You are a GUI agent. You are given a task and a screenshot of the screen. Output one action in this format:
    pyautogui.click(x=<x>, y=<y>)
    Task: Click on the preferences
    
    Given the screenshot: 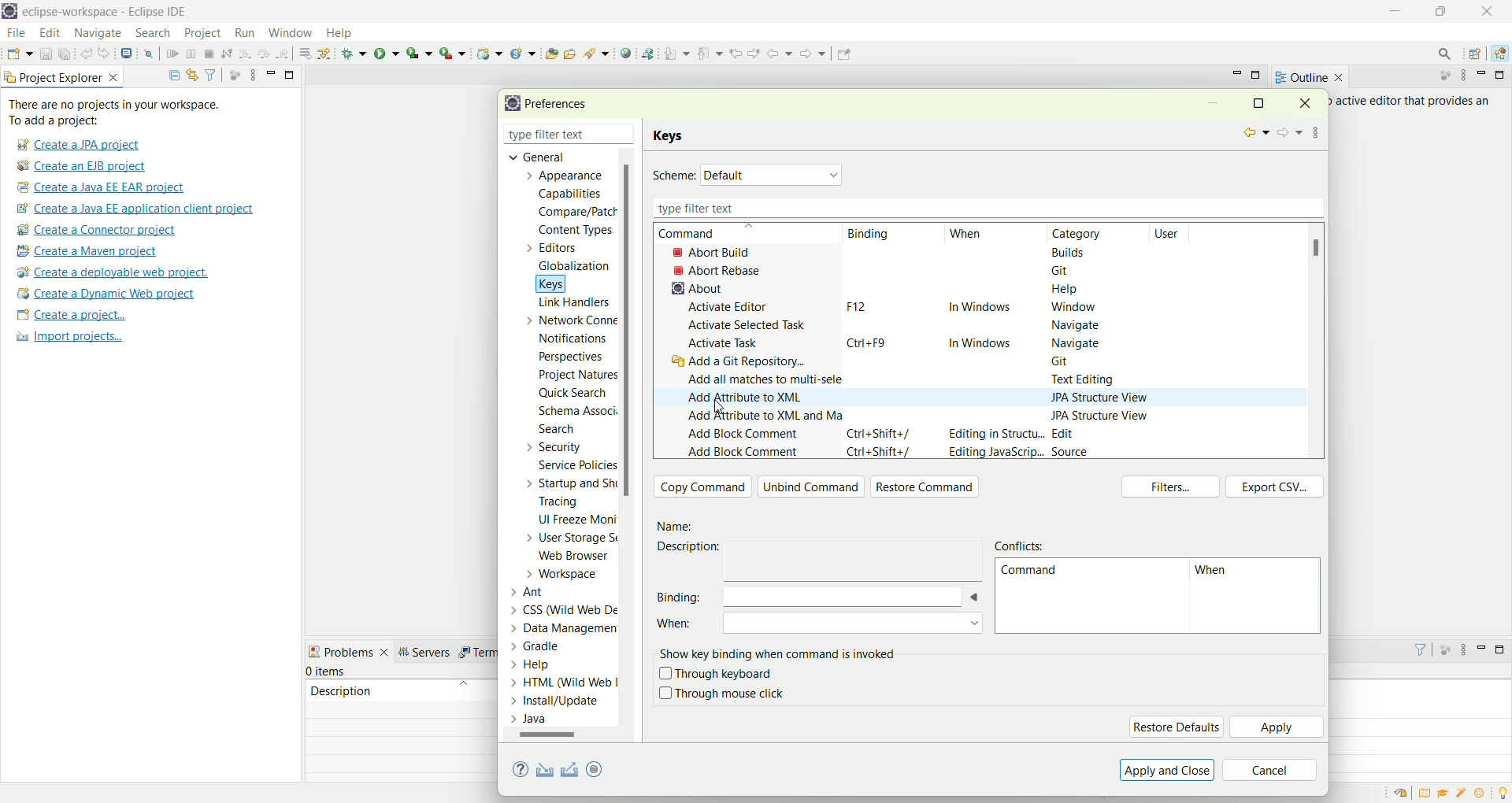 What is the action you would take?
    pyautogui.click(x=561, y=105)
    